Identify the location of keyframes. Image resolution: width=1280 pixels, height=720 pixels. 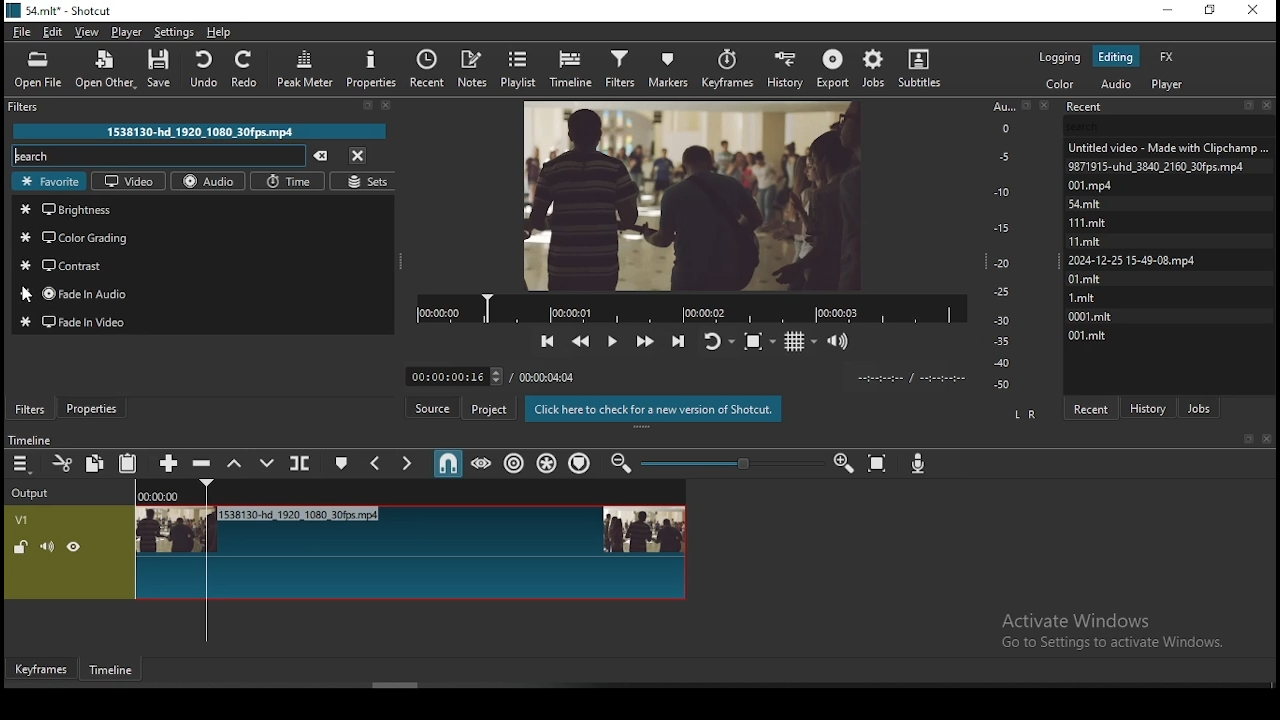
(730, 65).